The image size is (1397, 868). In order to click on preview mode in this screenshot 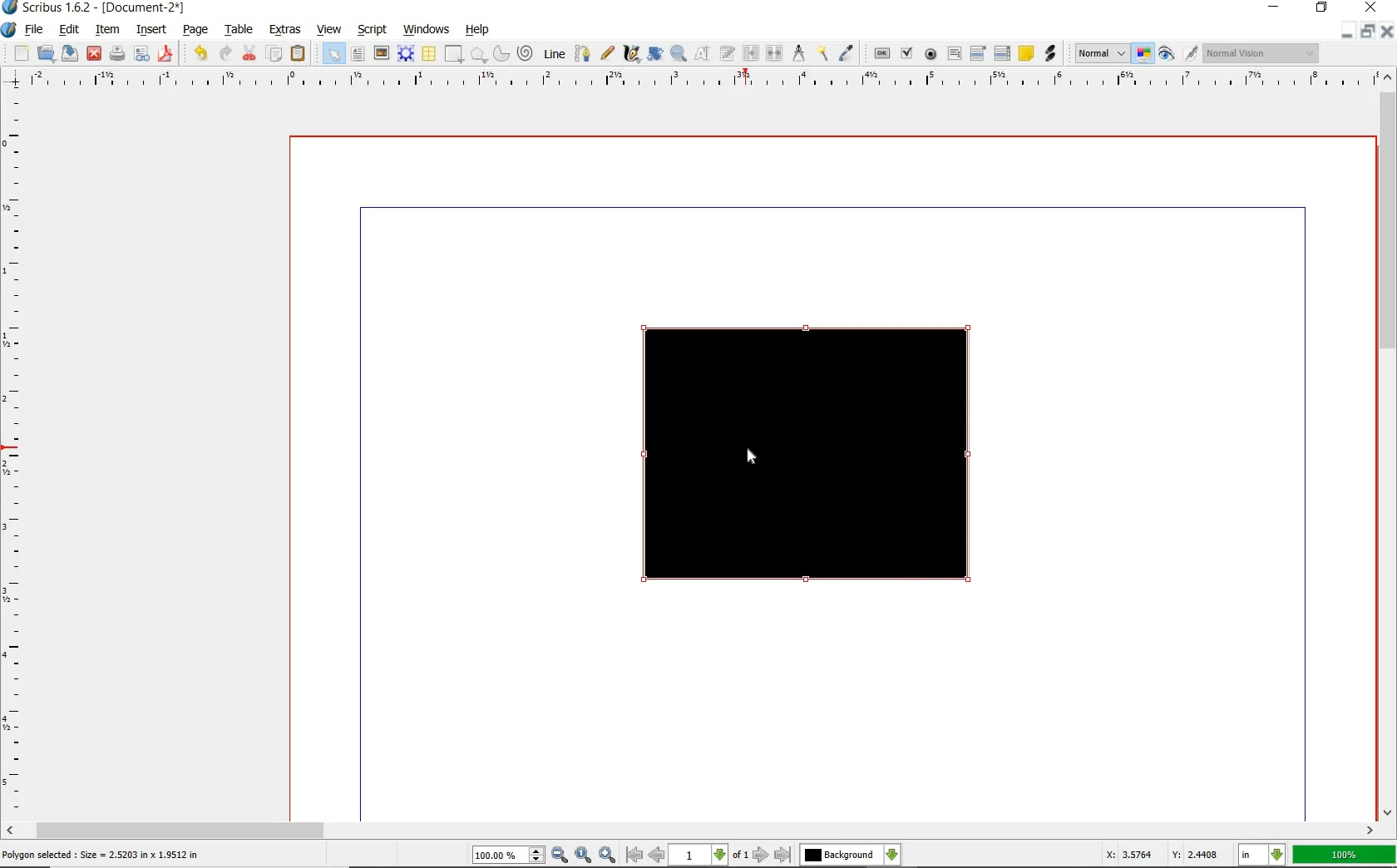, I will do `click(1167, 56)`.